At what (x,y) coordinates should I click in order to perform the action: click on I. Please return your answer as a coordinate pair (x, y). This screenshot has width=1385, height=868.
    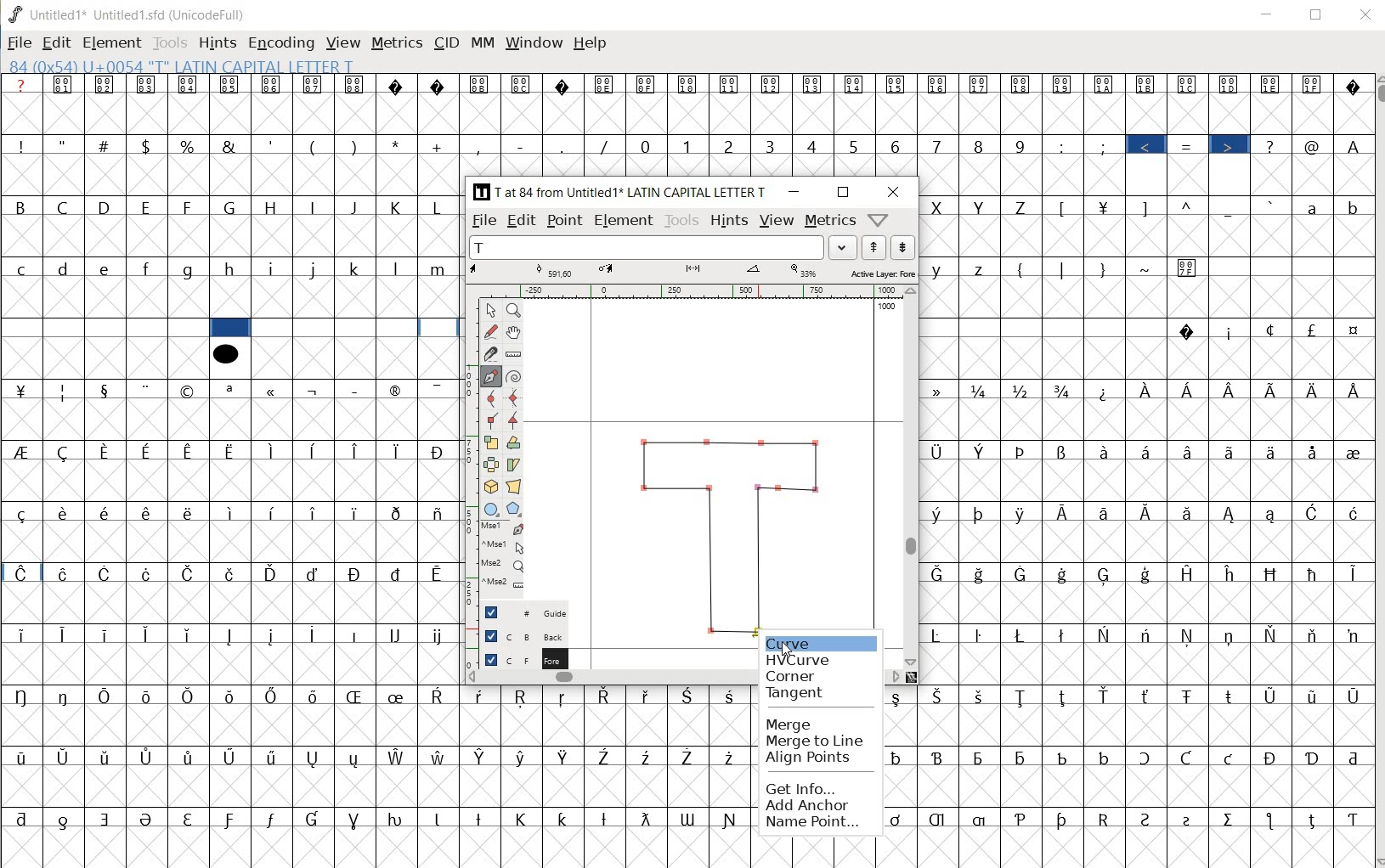
    Looking at the image, I should click on (315, 208).